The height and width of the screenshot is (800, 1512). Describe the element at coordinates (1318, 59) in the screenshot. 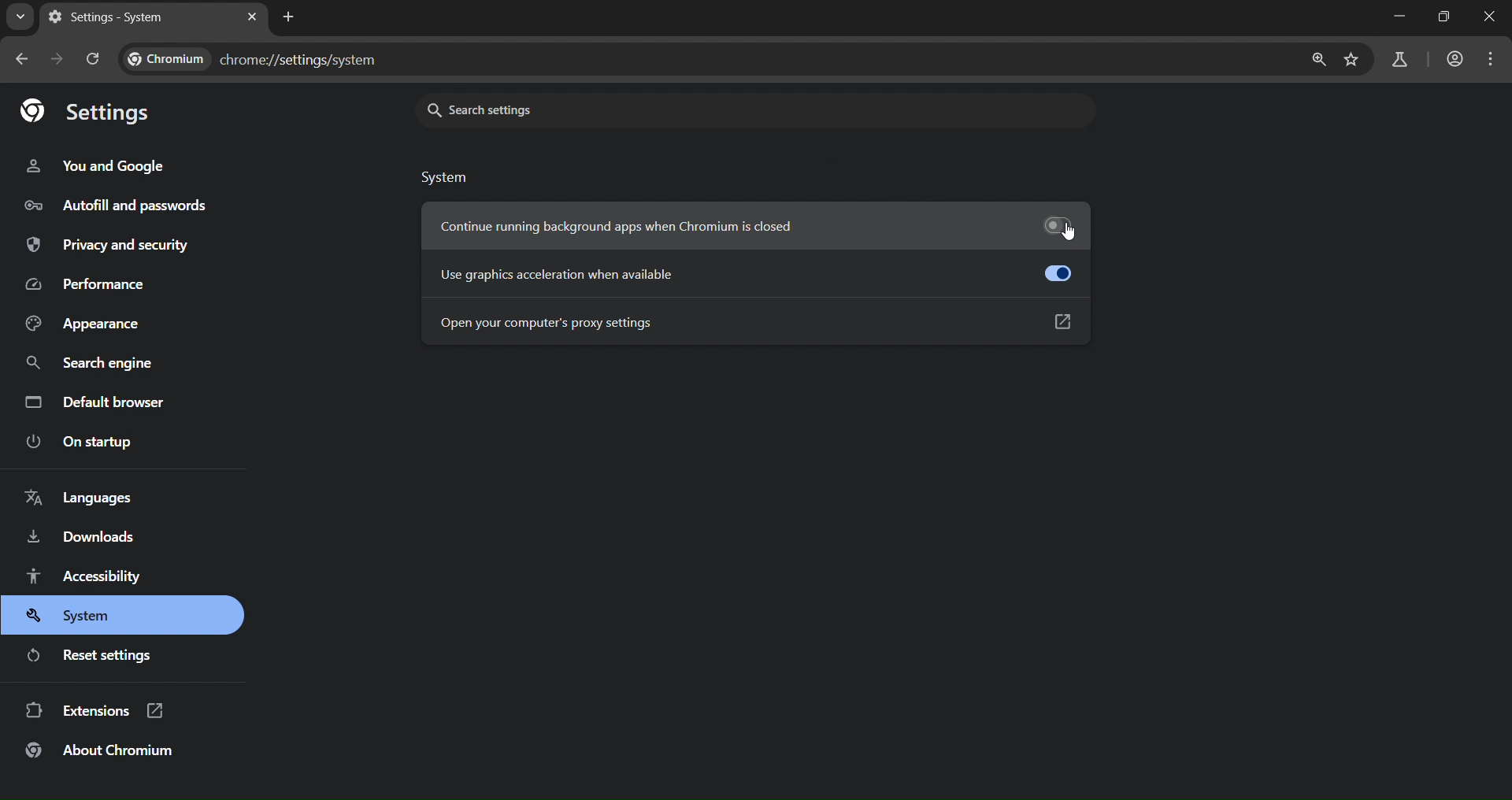

I see `zoom` at that location.